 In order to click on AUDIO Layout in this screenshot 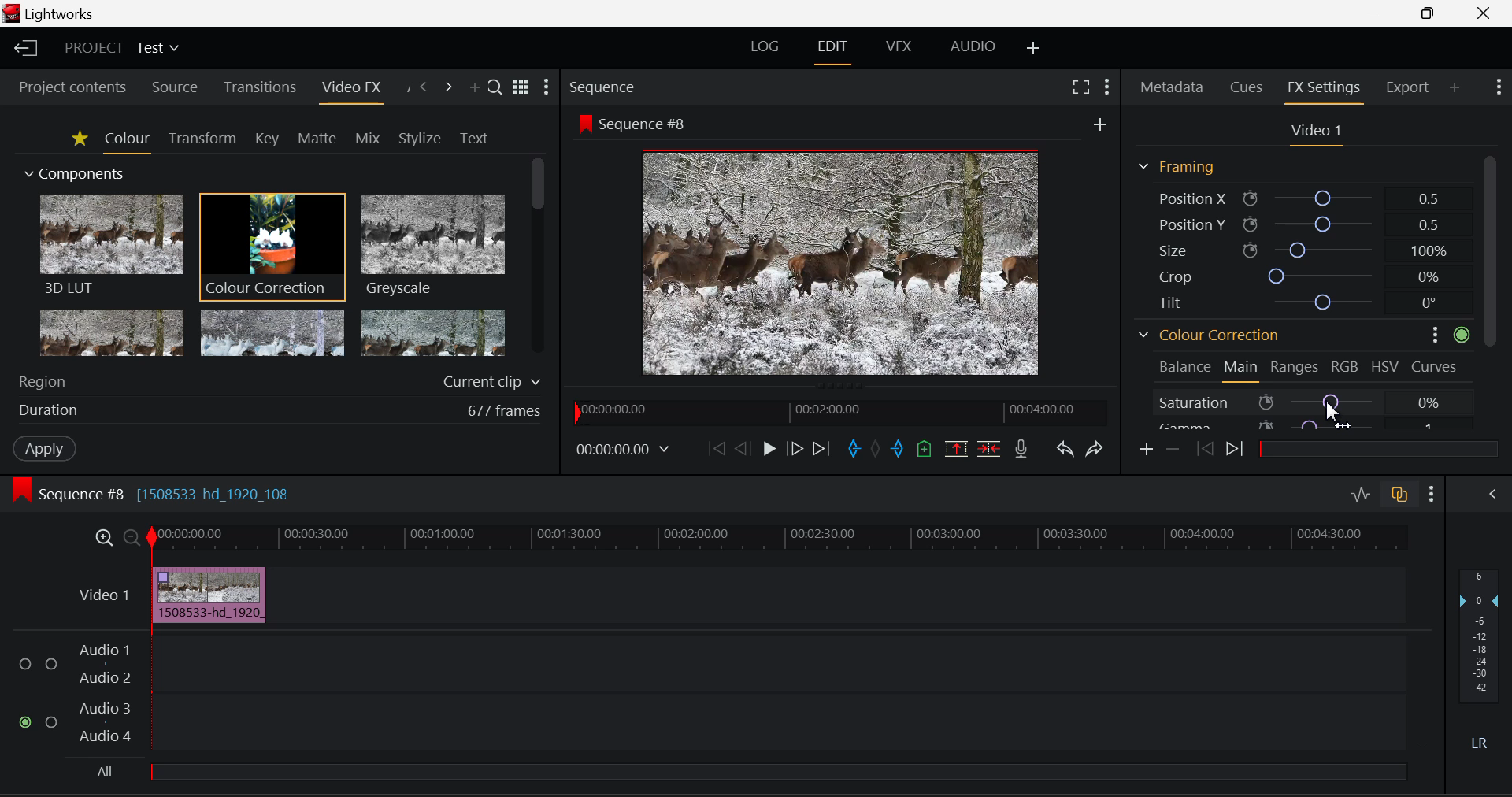, I will do `click(967, 48)`.